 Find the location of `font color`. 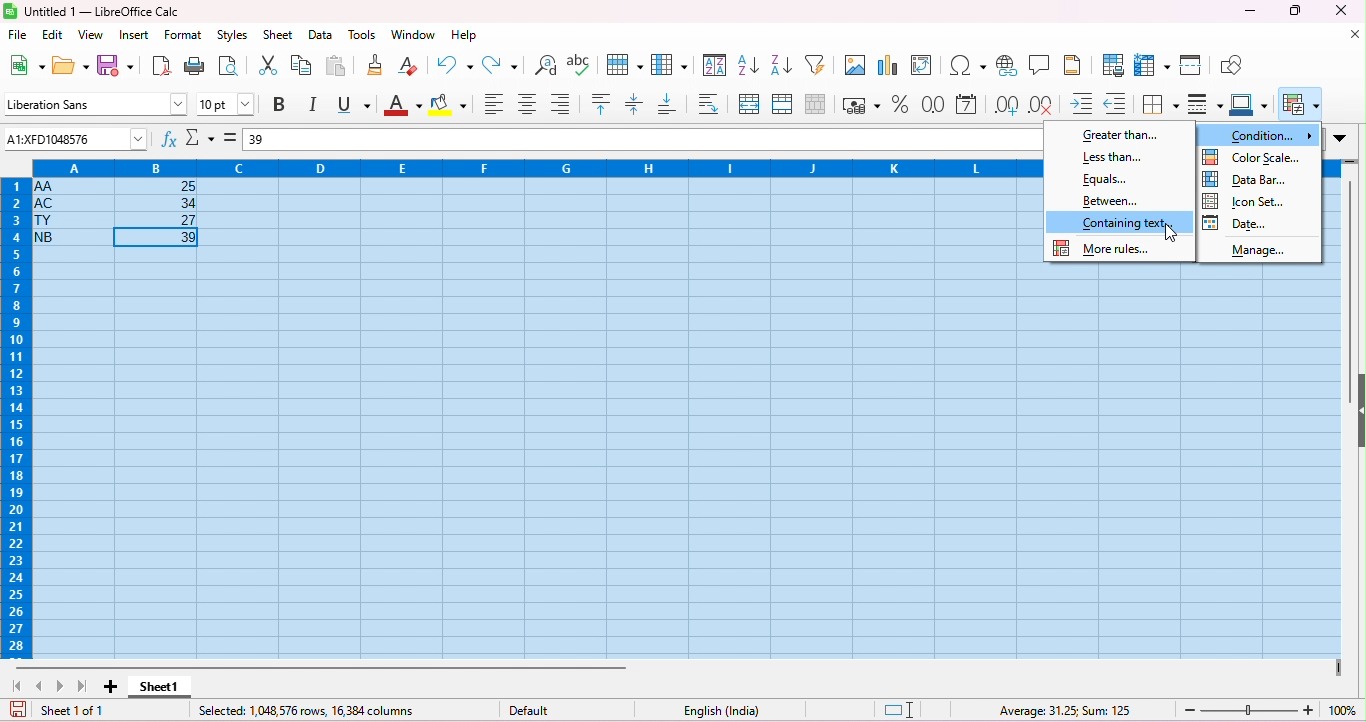

font color is located at coordinates (400, 106).